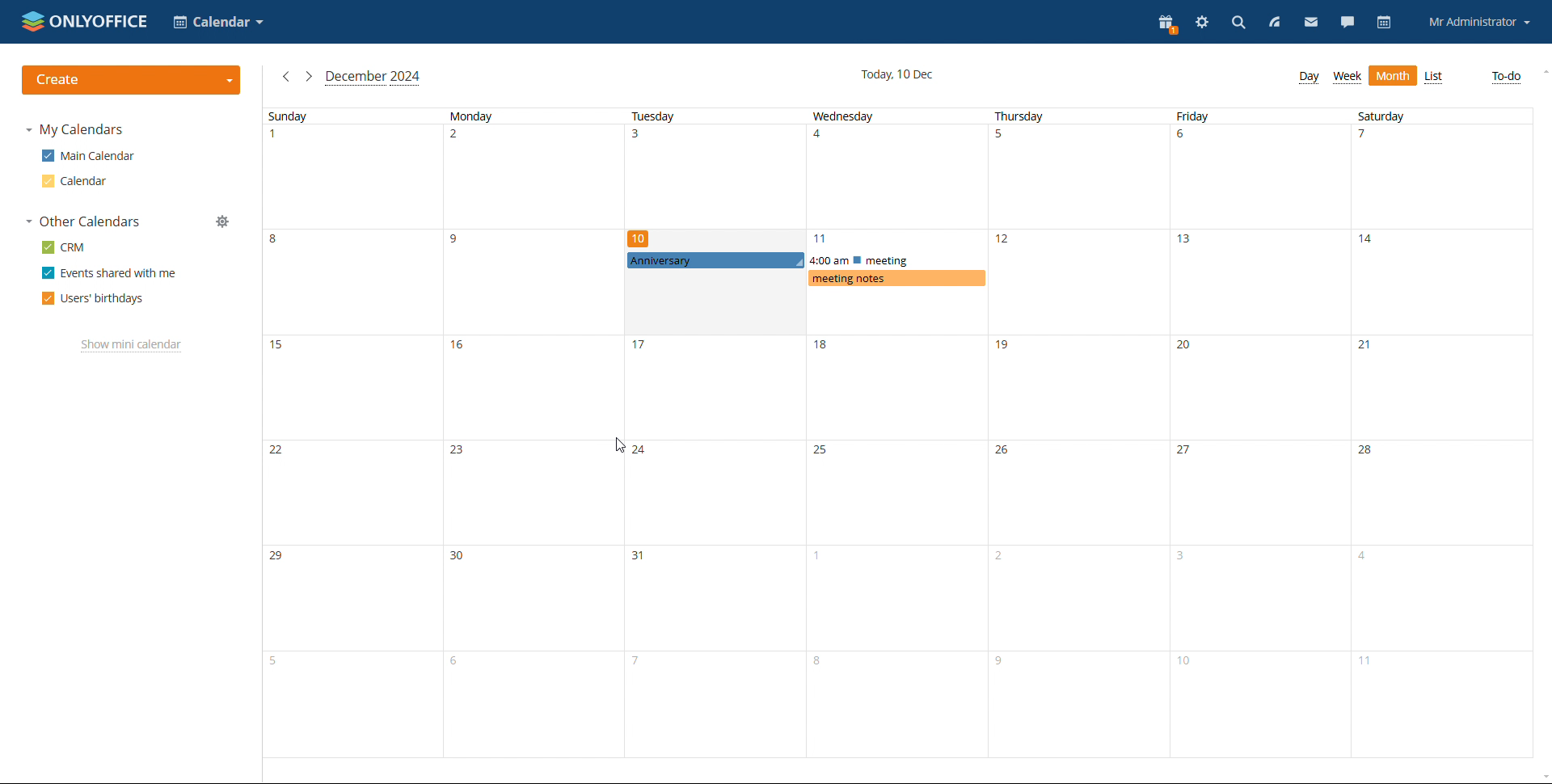 This screenshot has height=784, width=1552. Describe the element at coordinates (1385, 23) in the screenshot. I see `calendar` at that location.